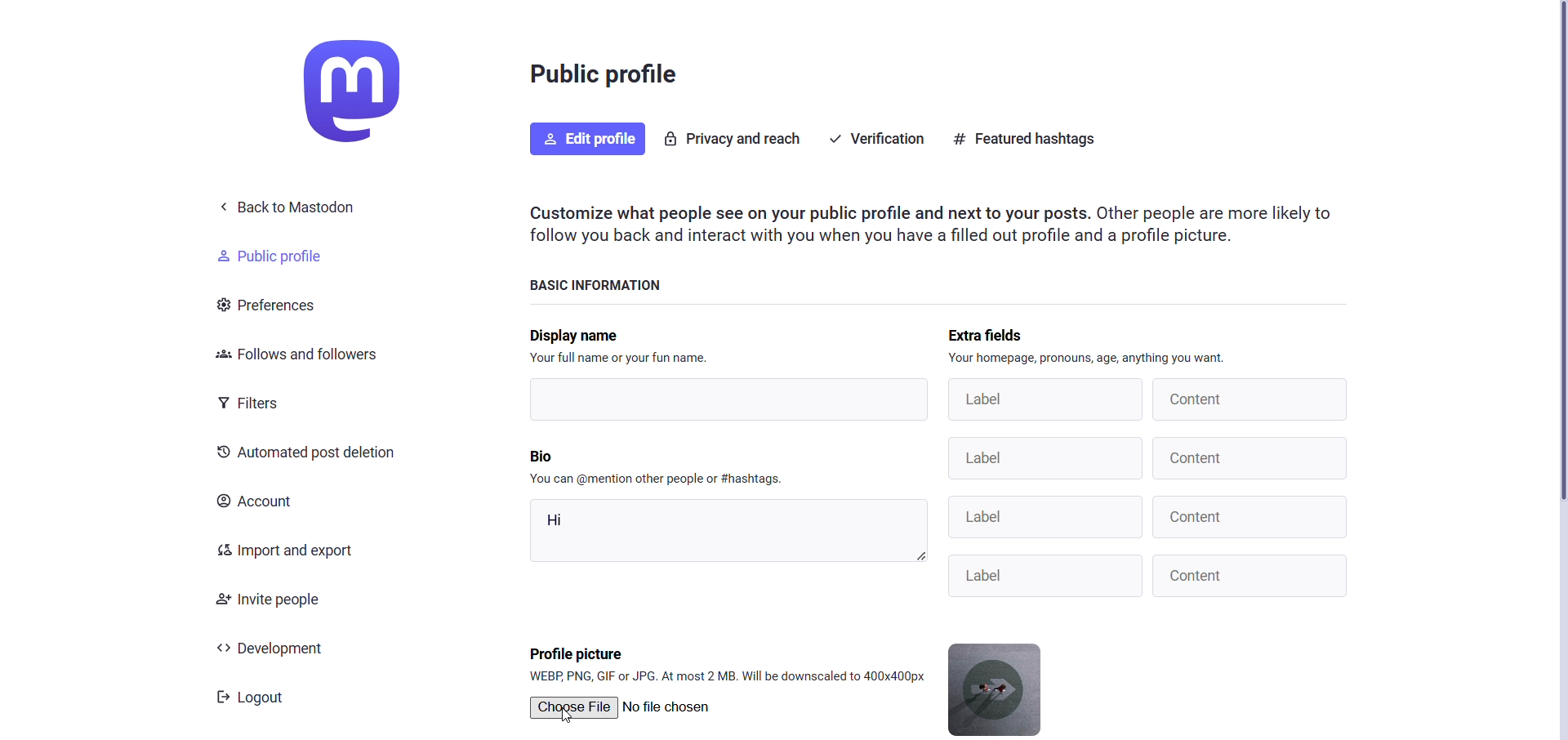  What do you see at coordinates (1049, 574) in the screenshot?
I see `Label` at bounding box center [1049, 574].